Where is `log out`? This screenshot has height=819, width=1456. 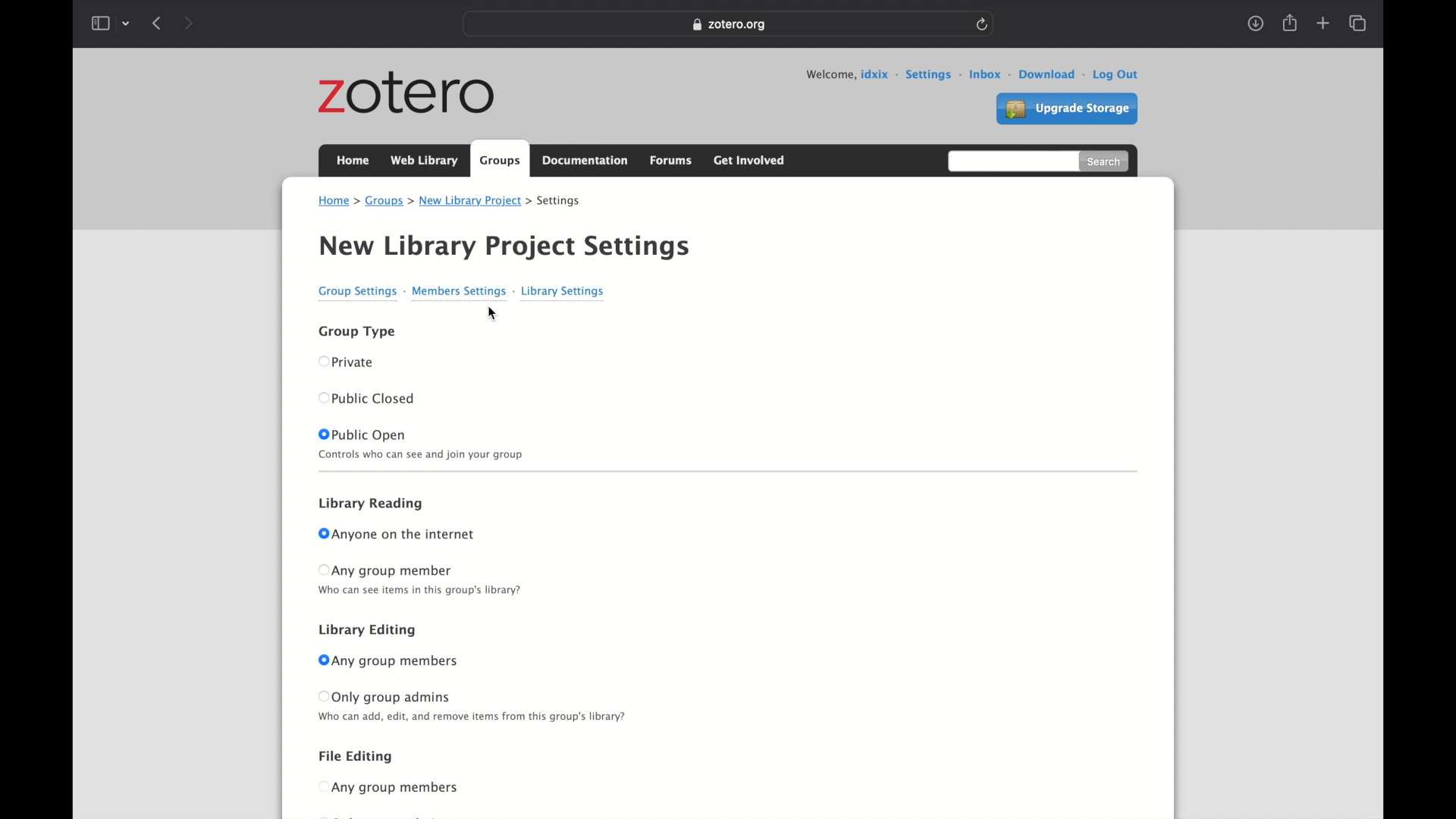 log out is located at coordinates (1116, 73).